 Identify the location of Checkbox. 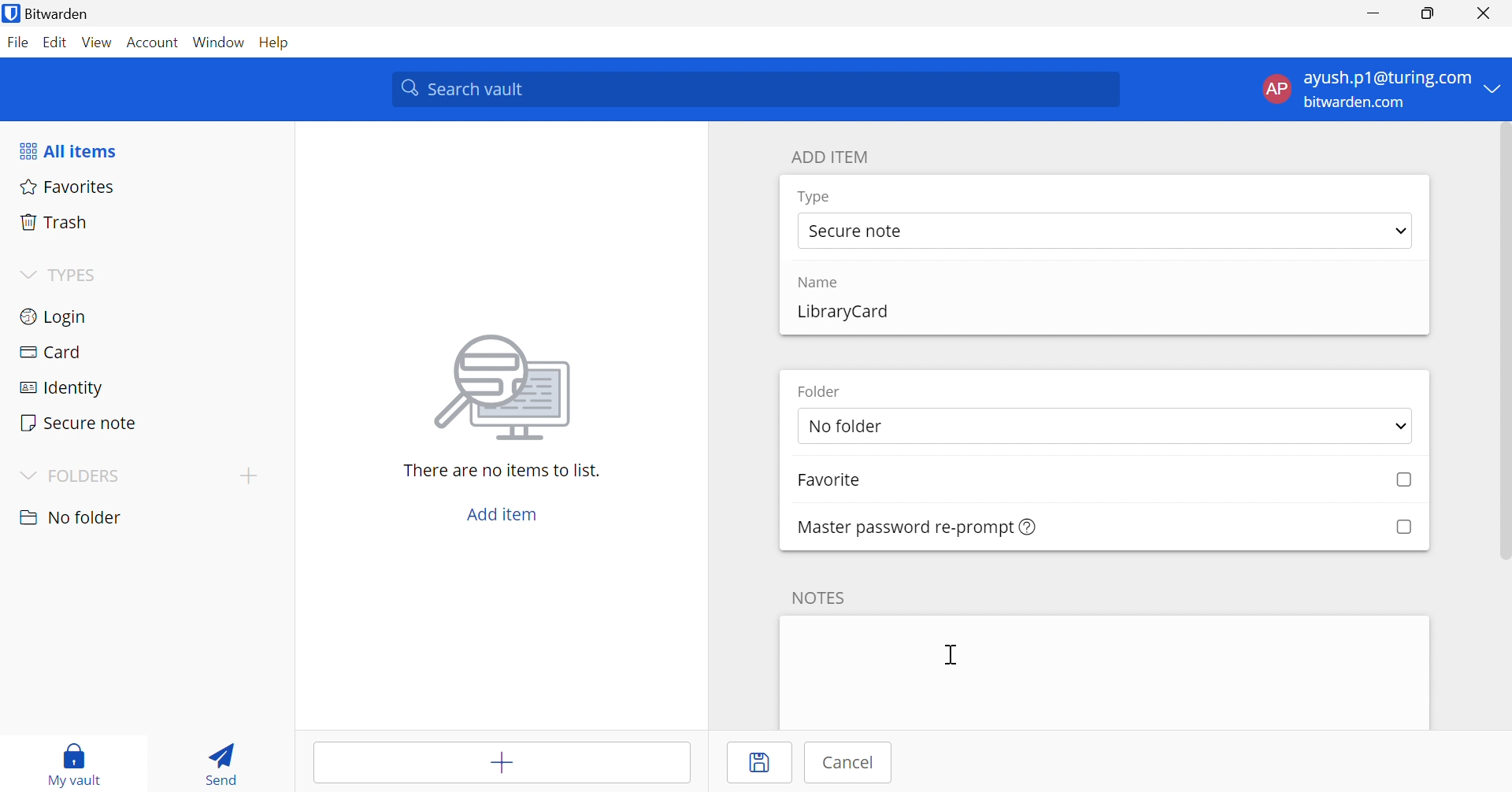
(1405, 482).